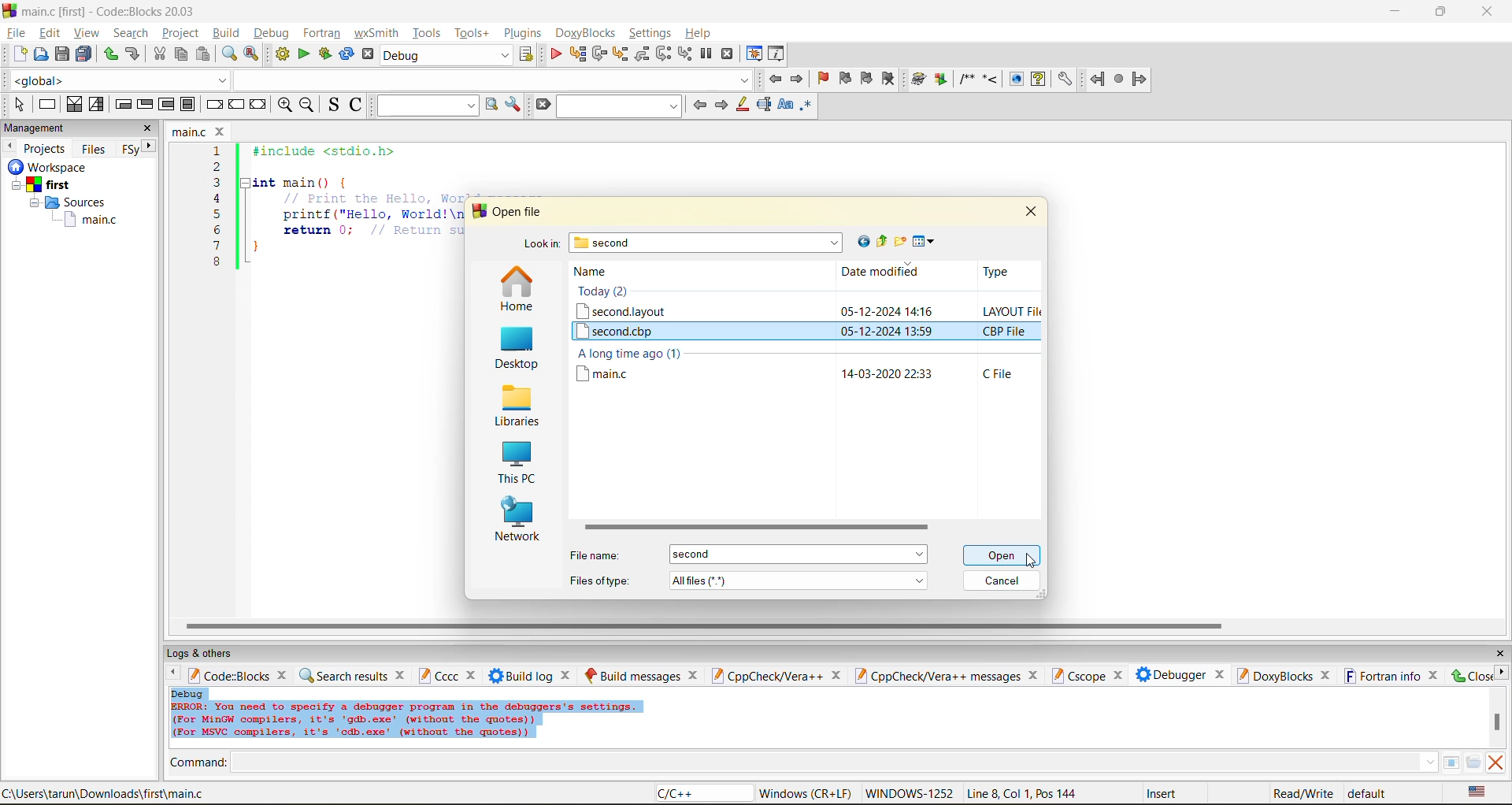  I want to click on file location, so click(104, 793).